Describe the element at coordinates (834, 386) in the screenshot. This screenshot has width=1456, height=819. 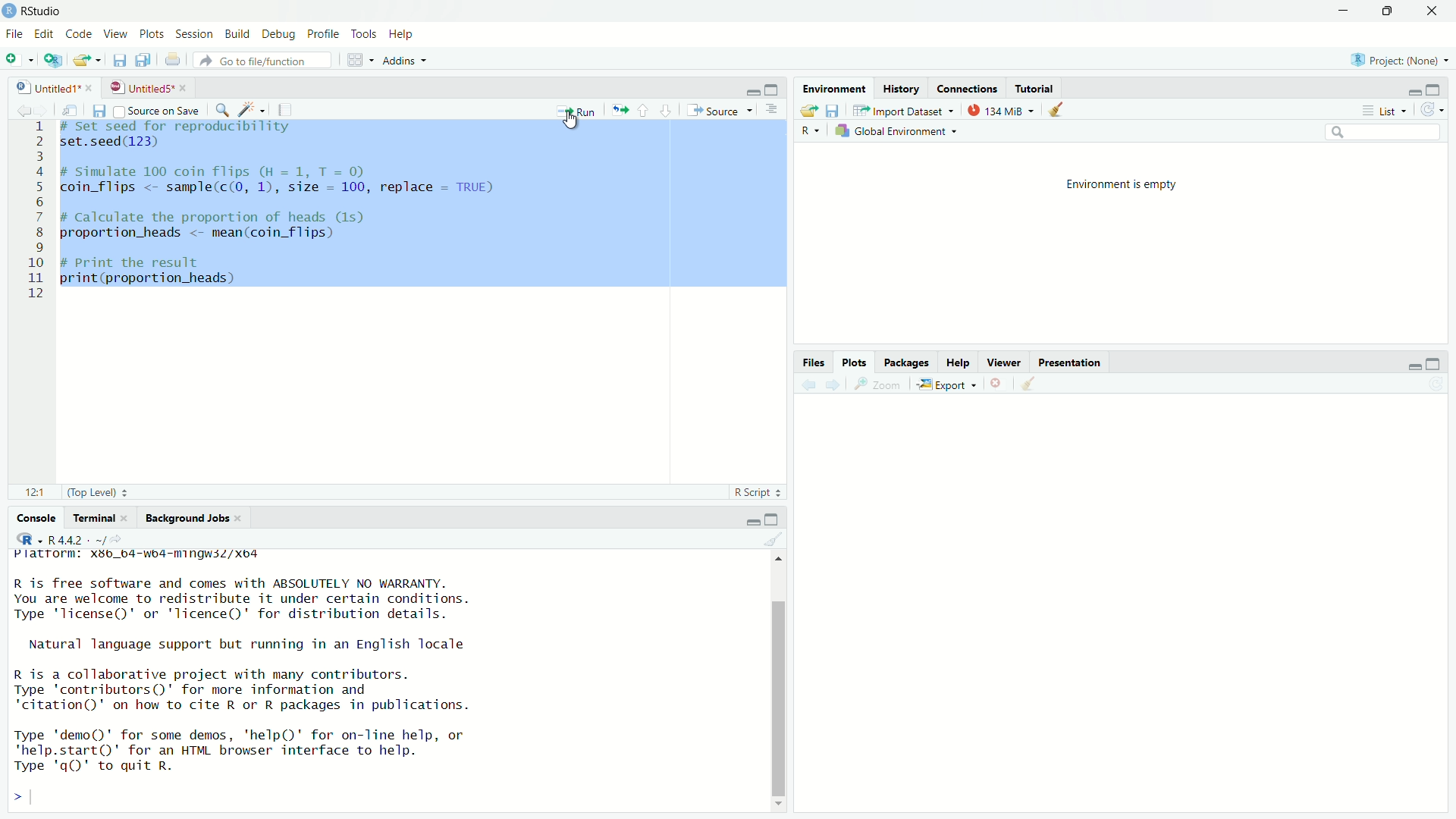
I see `next plot` at that location.